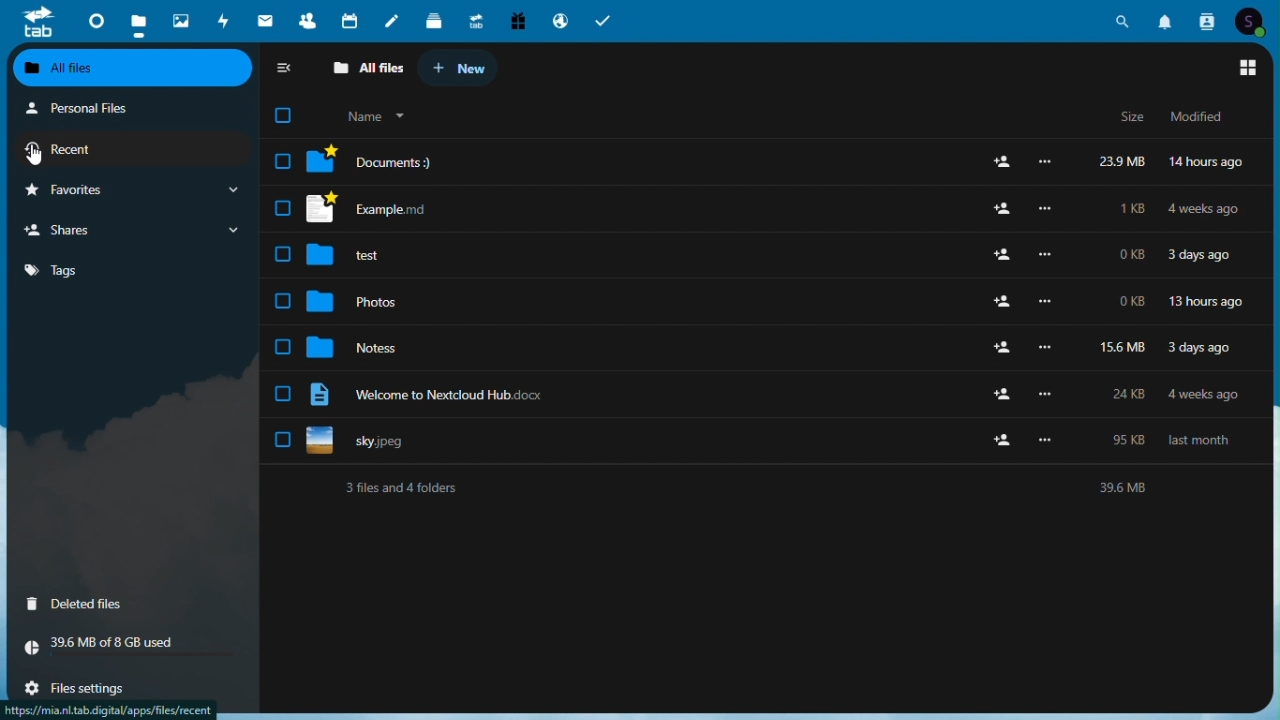 The height and width of the screenshot is (720, 1280). I want to click on 1 KB, so click(1132, 208).